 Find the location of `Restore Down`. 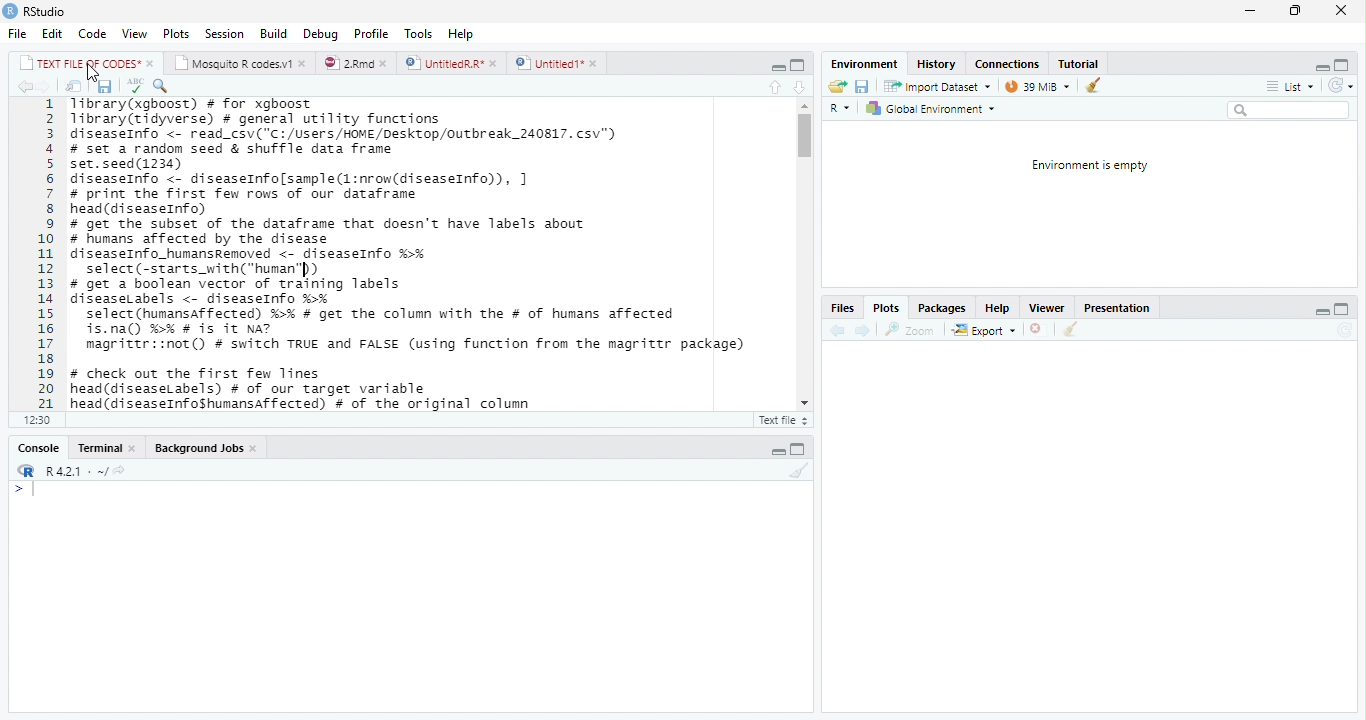

Restore Down is located at coordinates (1294, 11).